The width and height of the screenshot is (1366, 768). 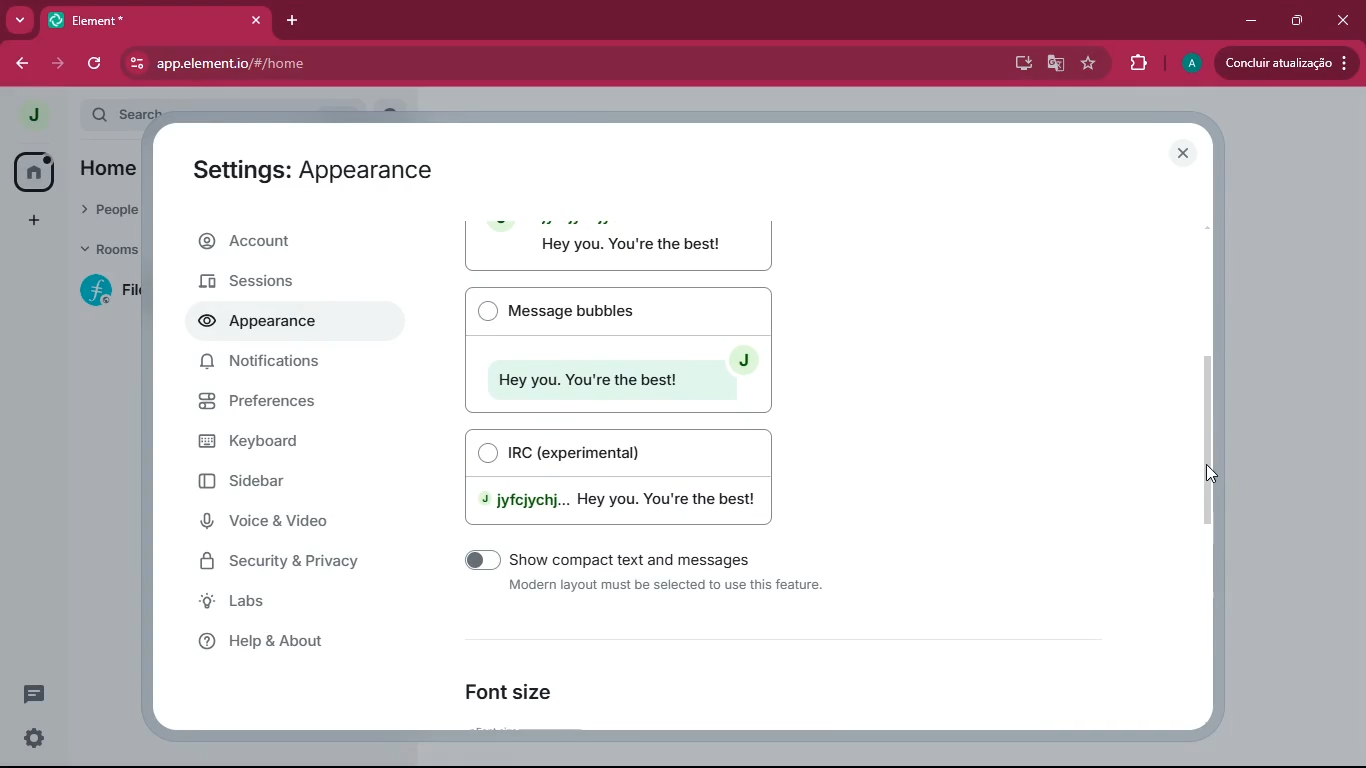 I want to click on Message bubbles, so click(x=618, y=349).